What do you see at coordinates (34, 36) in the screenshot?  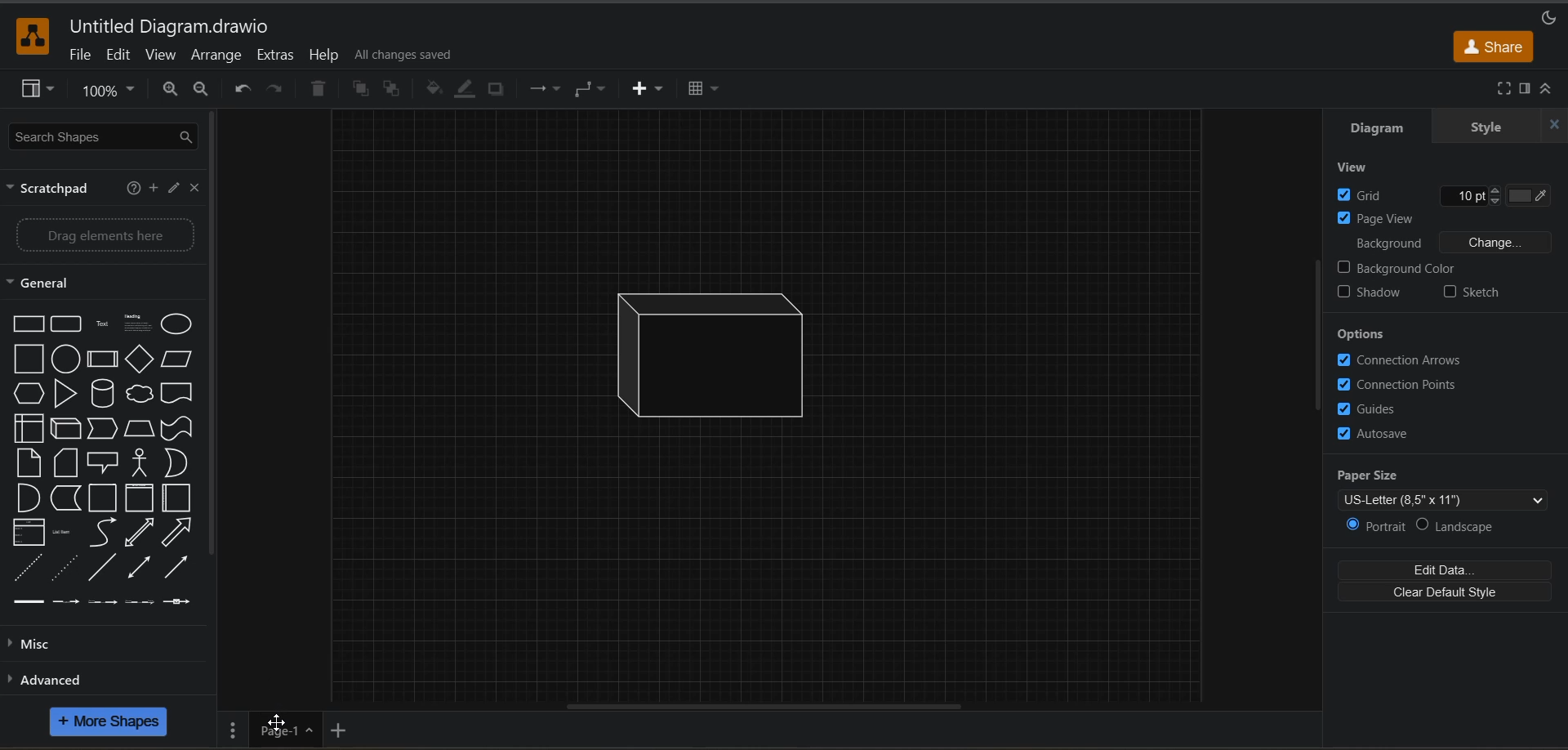 I see `app logo` at bounding box center [34, 36].